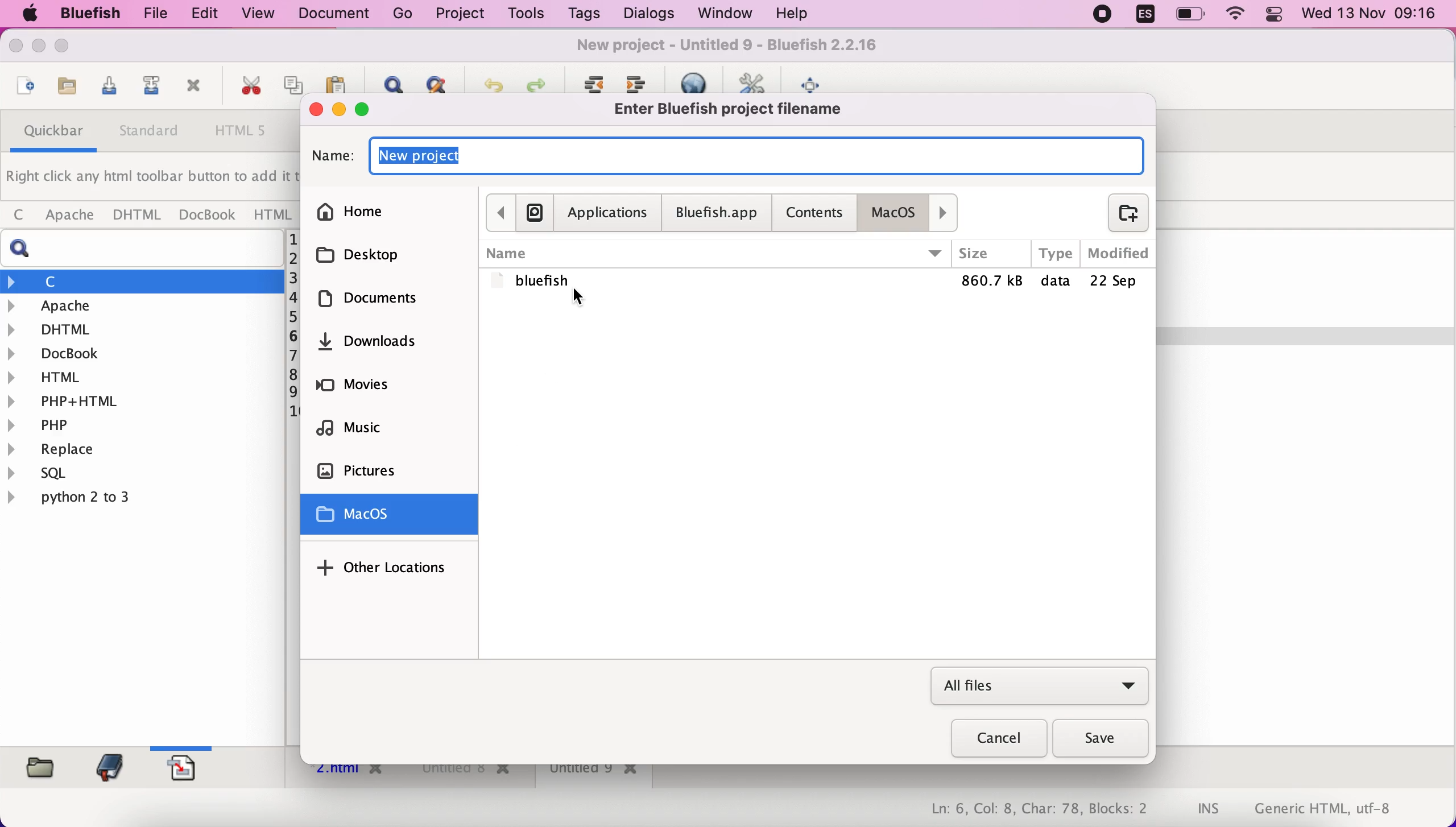 This screenshot has height=827, width=1456. Describe the element at coordinates (396, 472) in the screenshot. I see `pictures` at that location.